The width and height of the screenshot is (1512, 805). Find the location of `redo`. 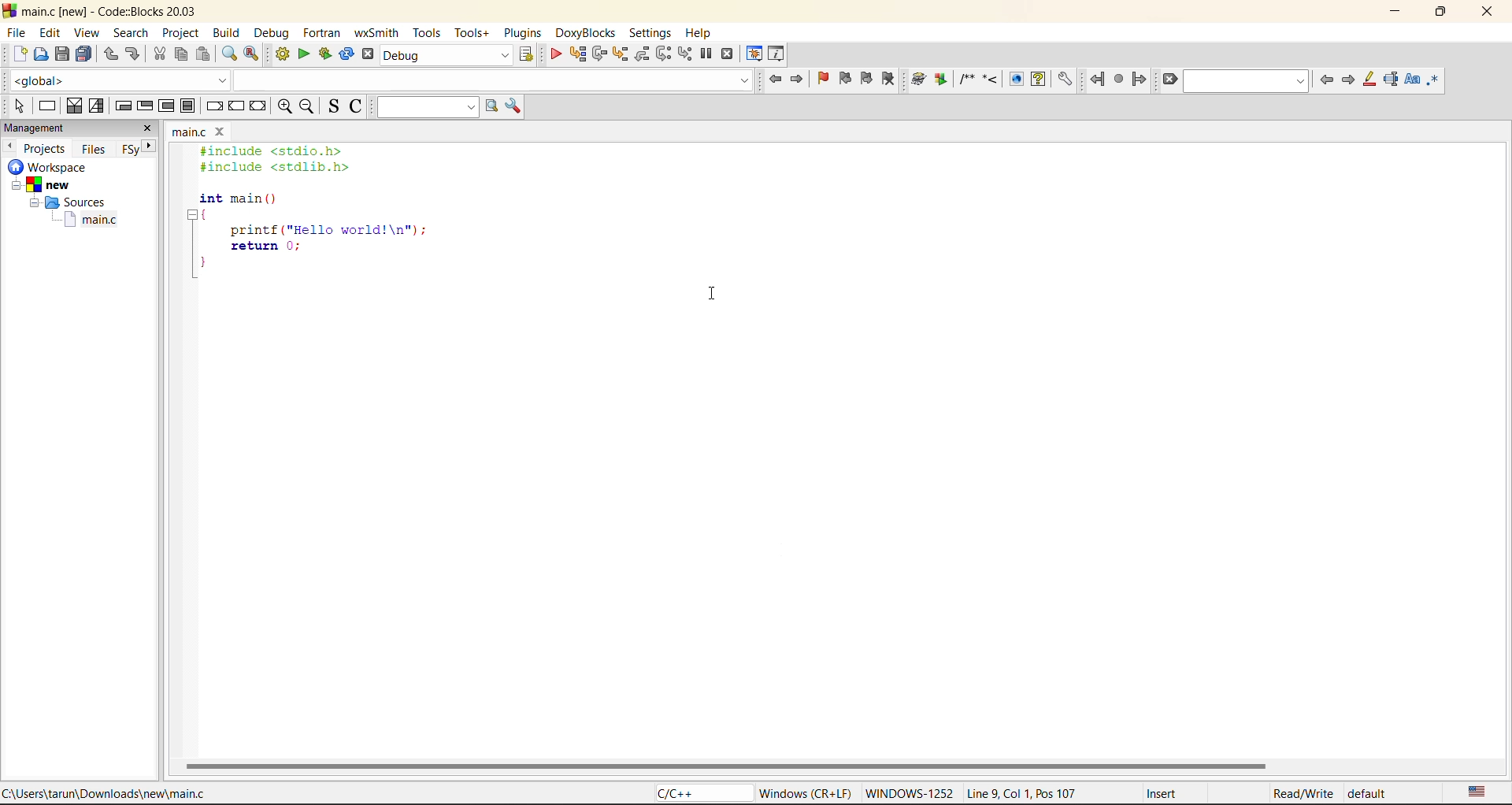

redo is located at coordinates (135, 54).